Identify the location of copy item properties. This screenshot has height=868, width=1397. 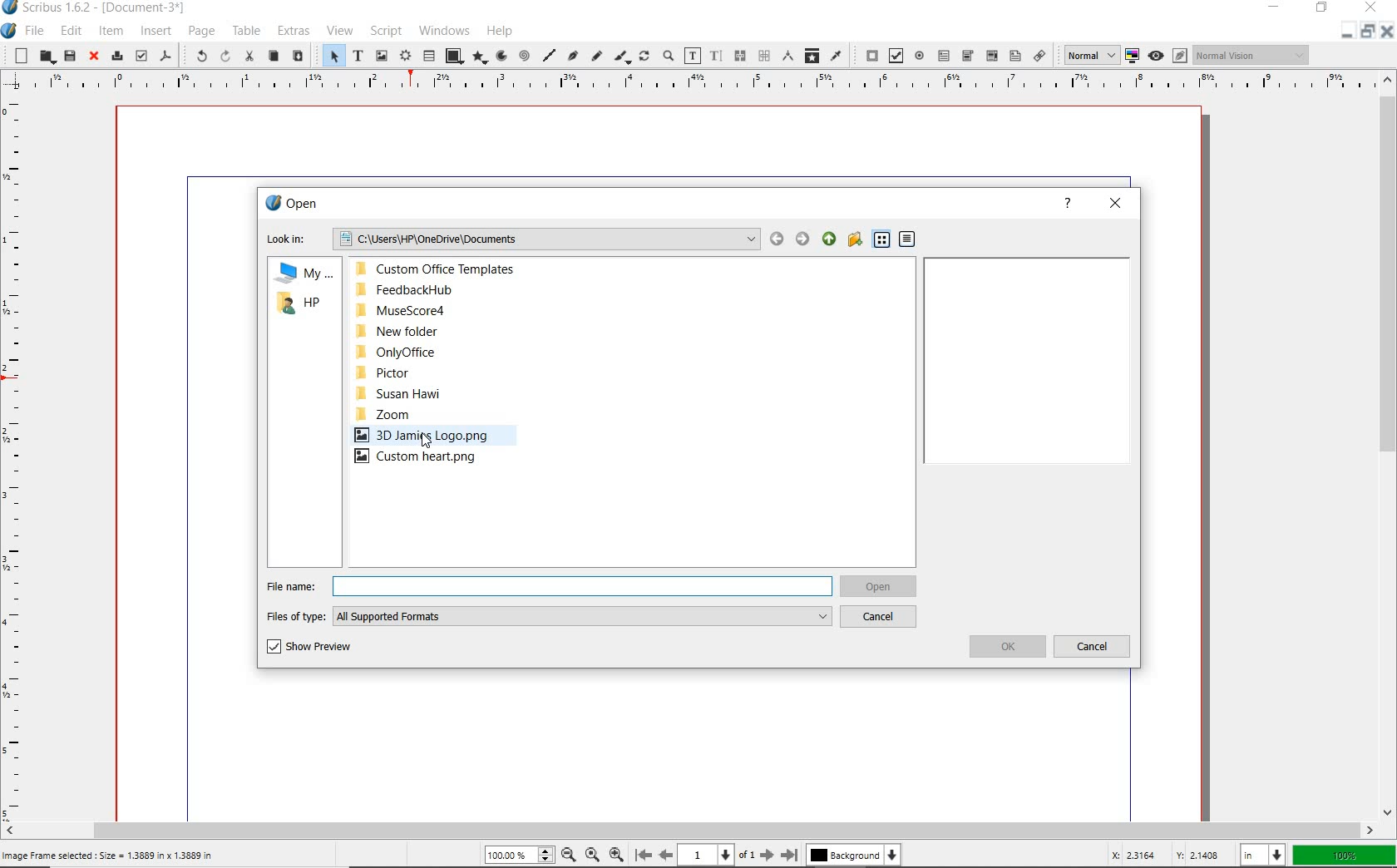
(811, 57).